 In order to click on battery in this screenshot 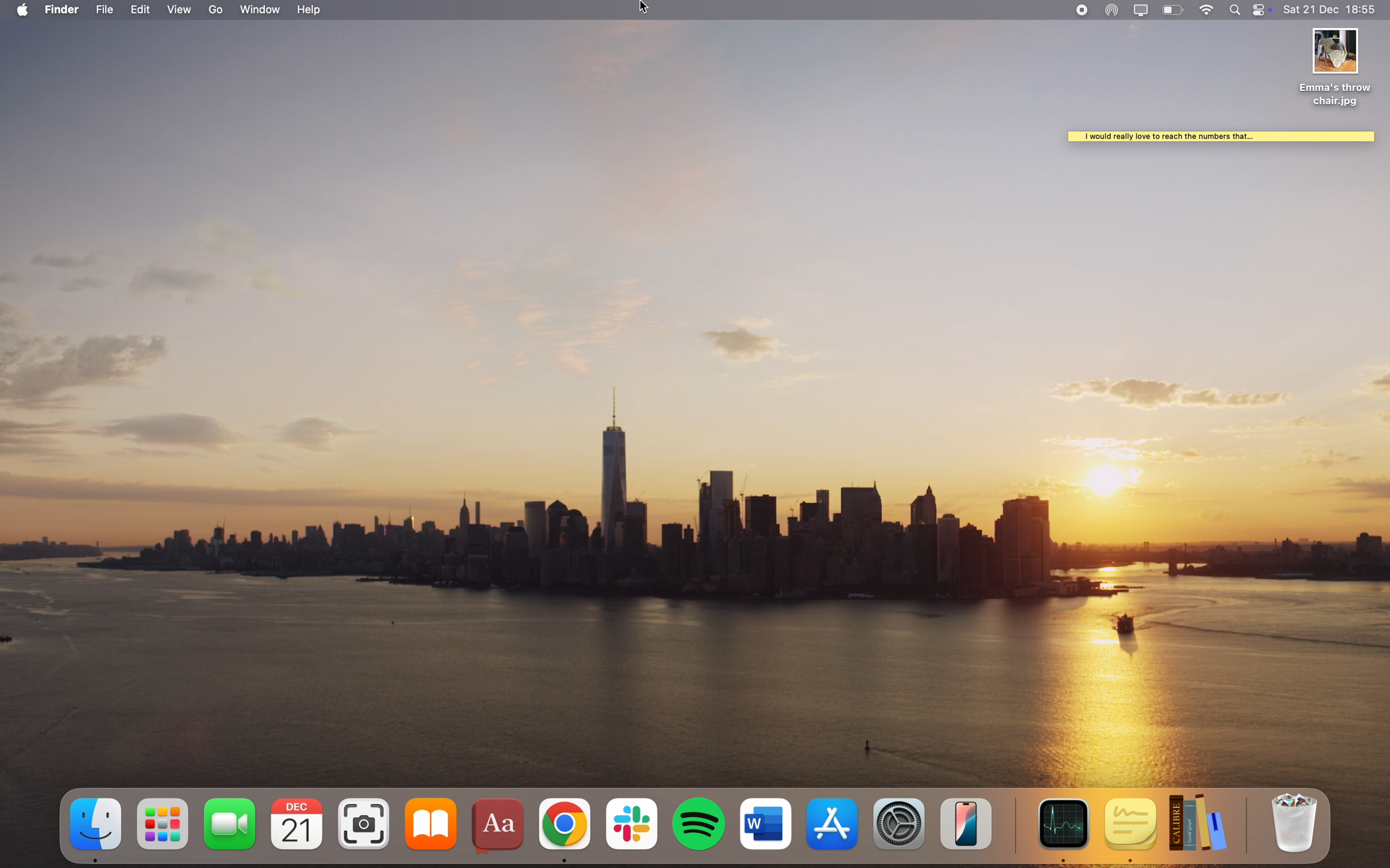, I will do `click(1173, 10)`.